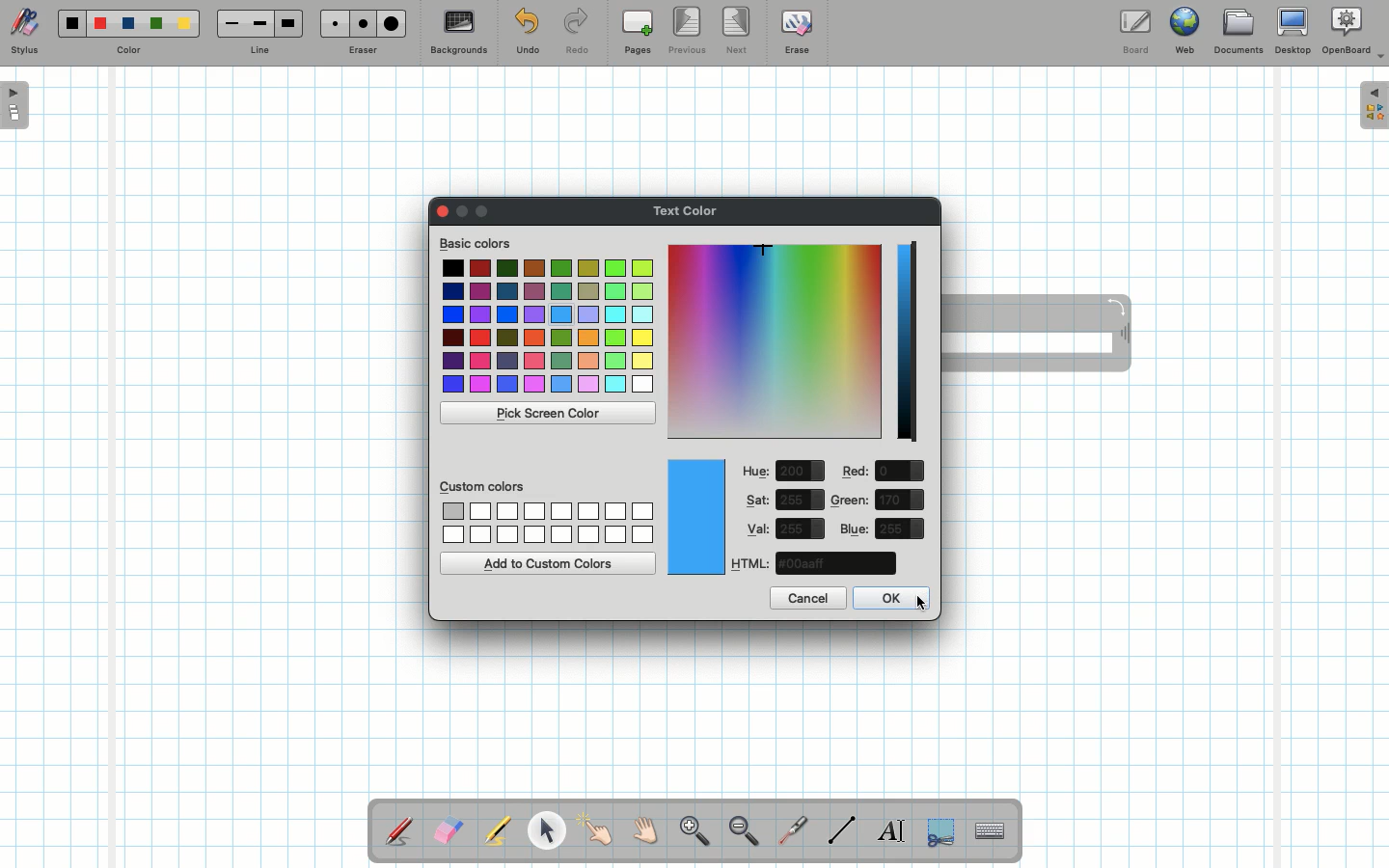 The height and width of the screenshot is (868, 1389). I want to click on Pointer, so click(596, 830).